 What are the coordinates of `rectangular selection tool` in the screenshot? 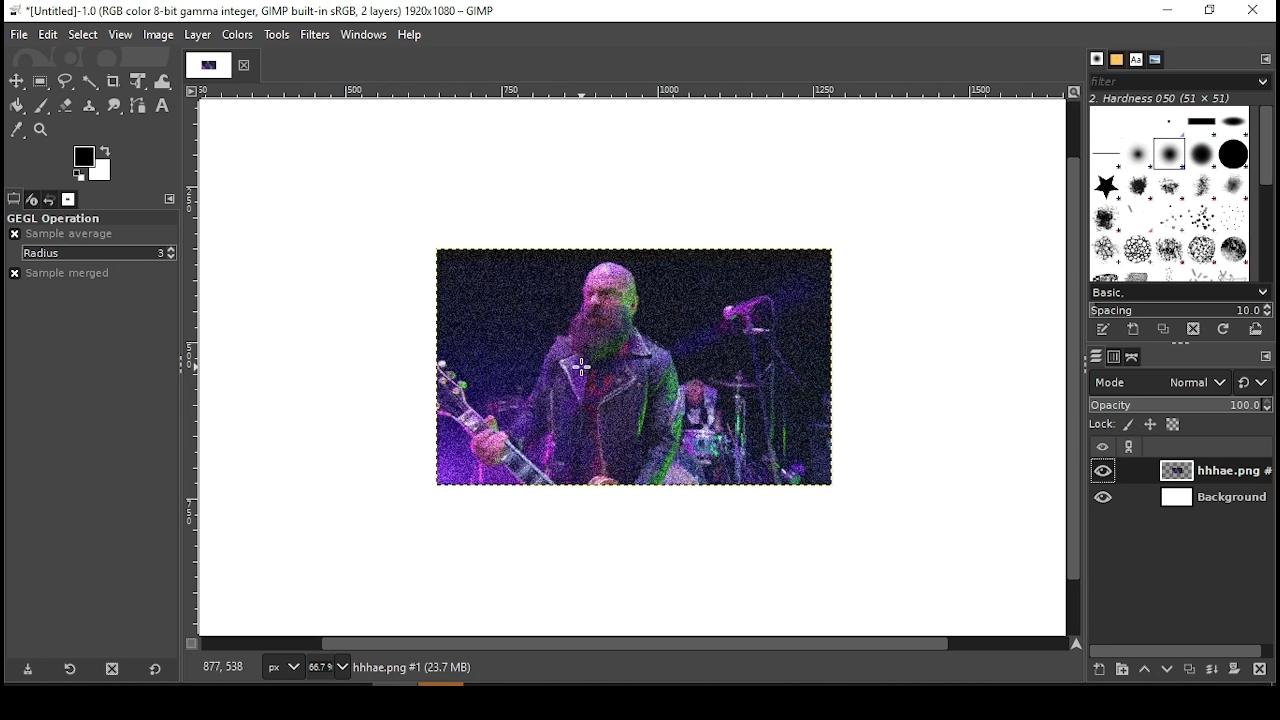 It's located at (40, 81).